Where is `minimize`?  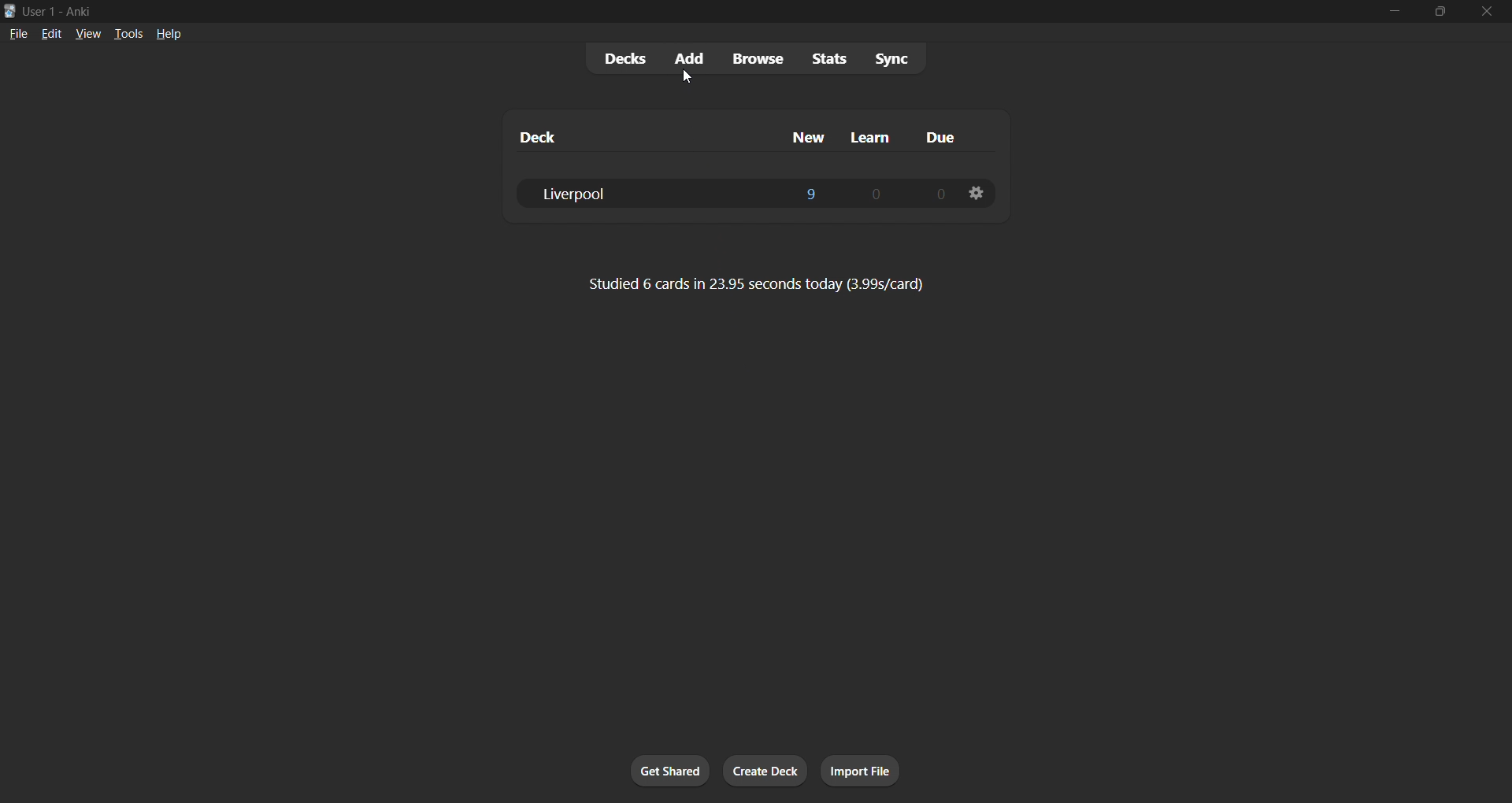 minimize is located at coordinates (1384, 12).